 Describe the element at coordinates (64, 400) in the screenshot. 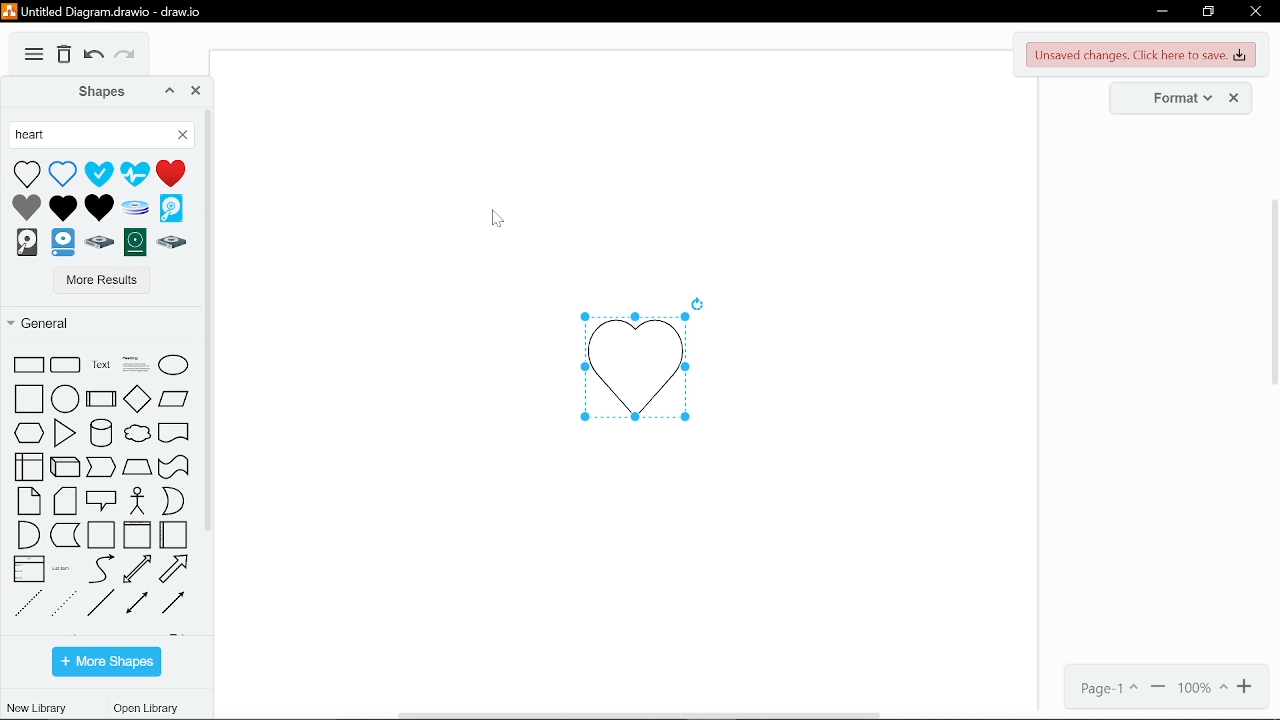

I see `circle` at that location.